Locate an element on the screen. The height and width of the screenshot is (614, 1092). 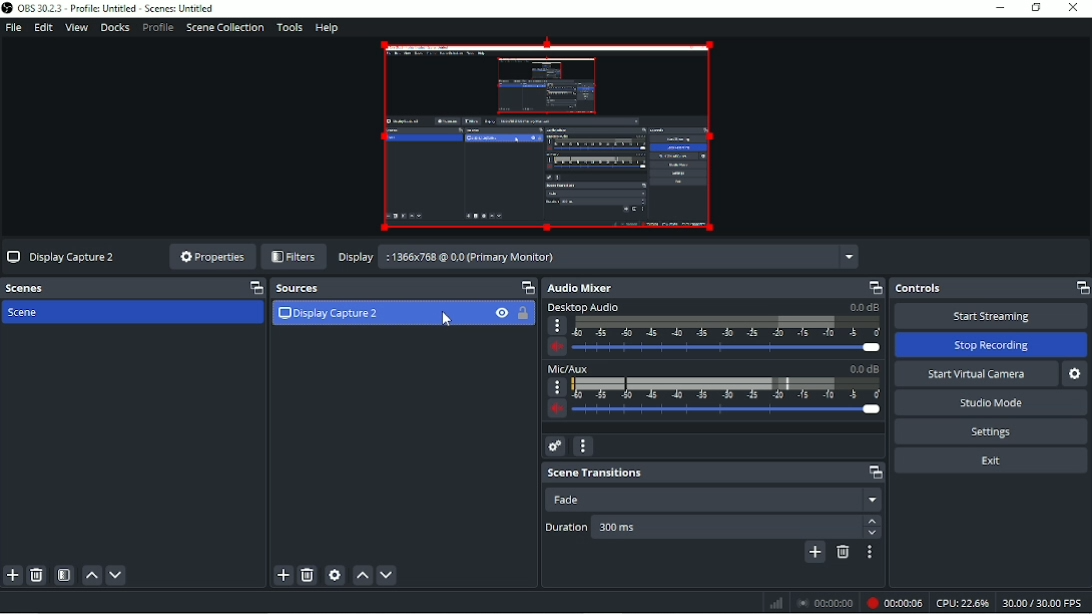
Add scen is located at coordinates (12, 576).